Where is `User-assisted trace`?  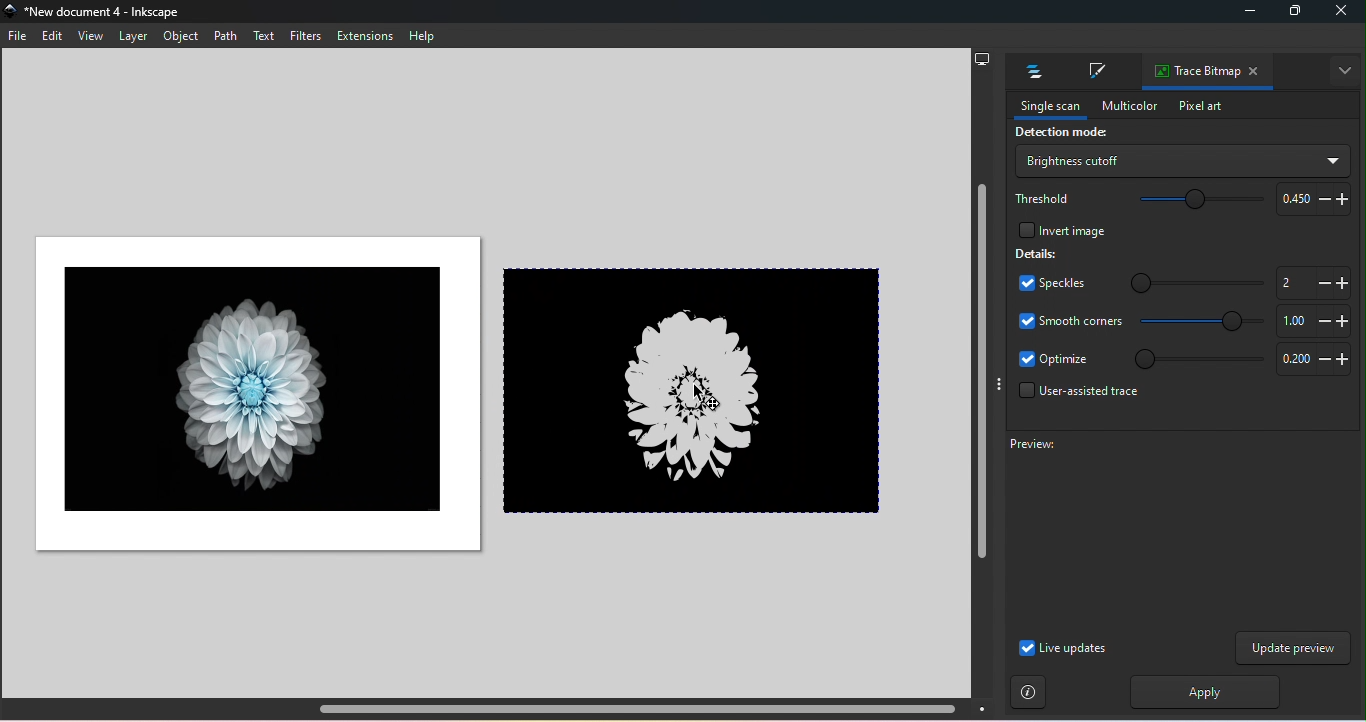
User-assisted trace is located at coordinates (1074, 396).